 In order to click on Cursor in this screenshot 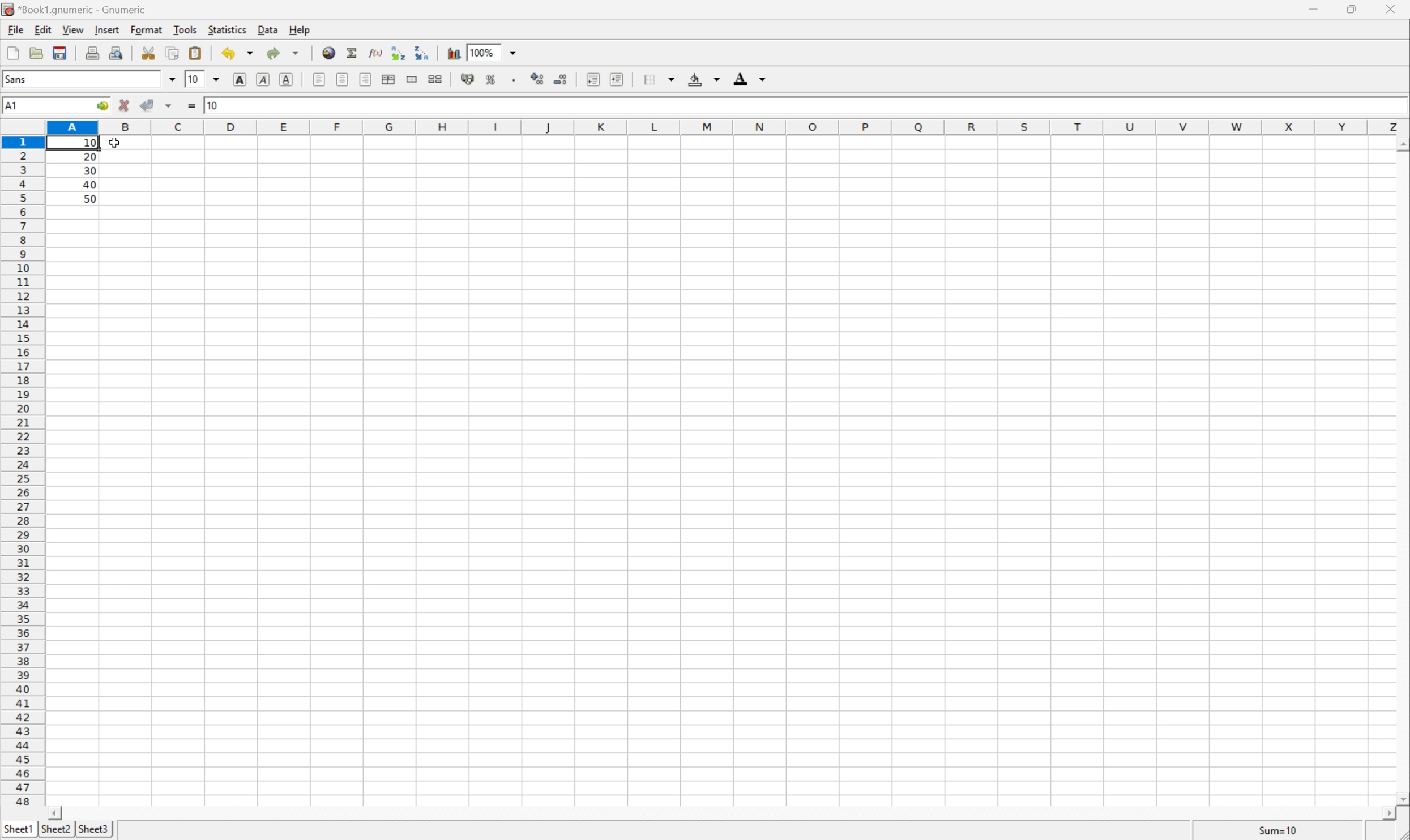, I will do `click(114, 143)`.